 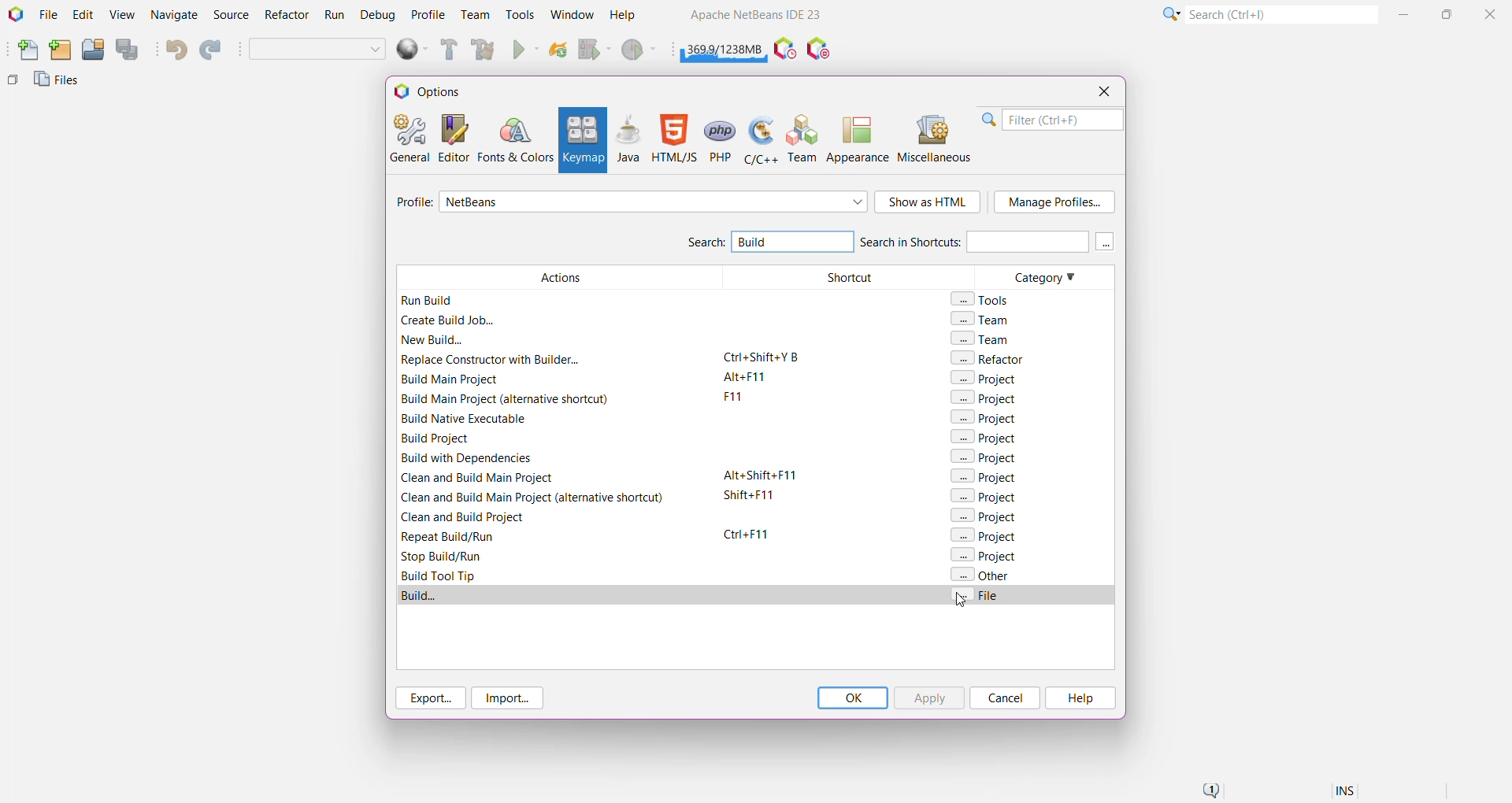 I want to click on Run, so click(x=335, y=17).